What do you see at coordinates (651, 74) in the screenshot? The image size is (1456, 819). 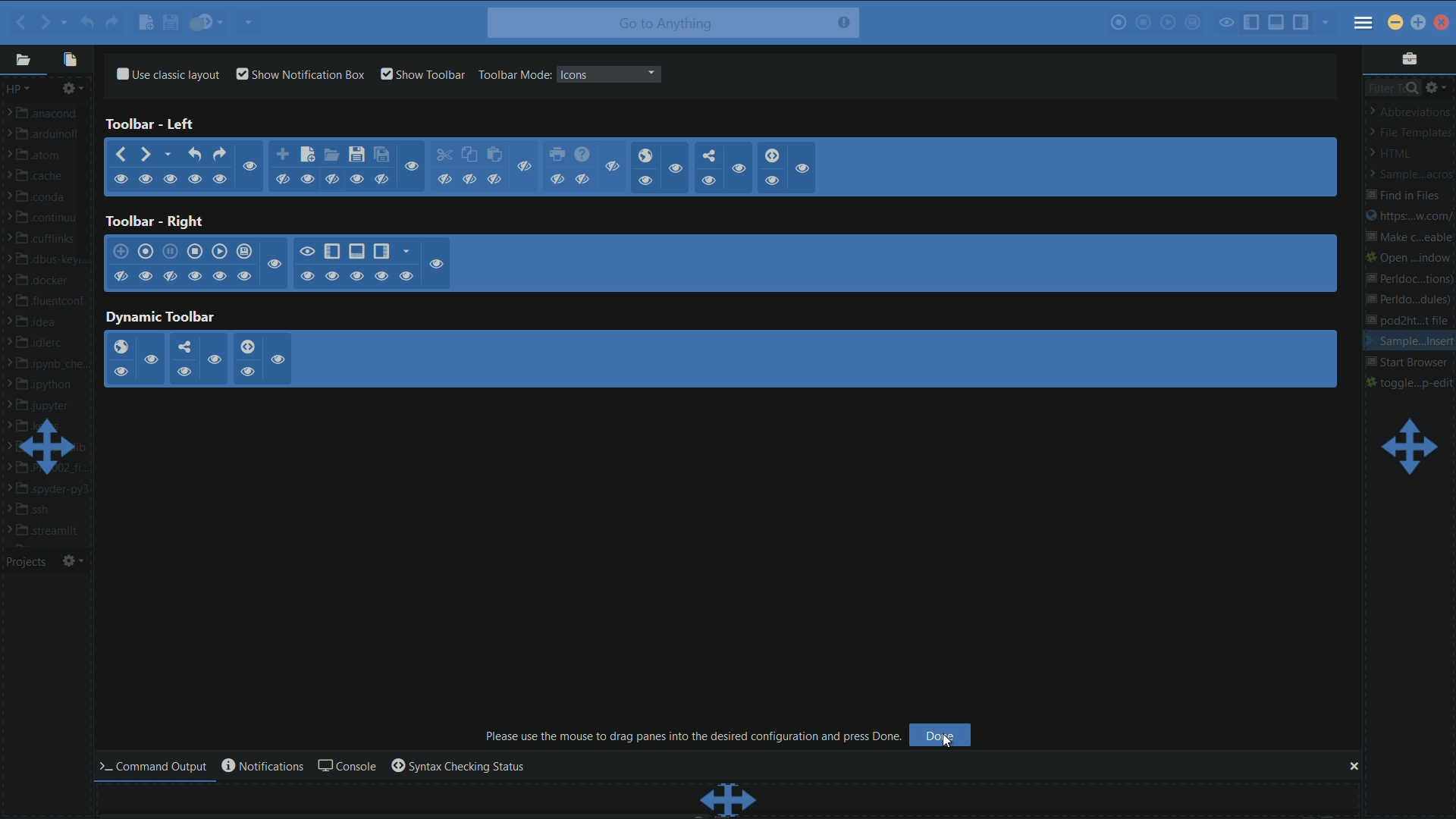 I see `dropdown` at bounding box center [651, 74].